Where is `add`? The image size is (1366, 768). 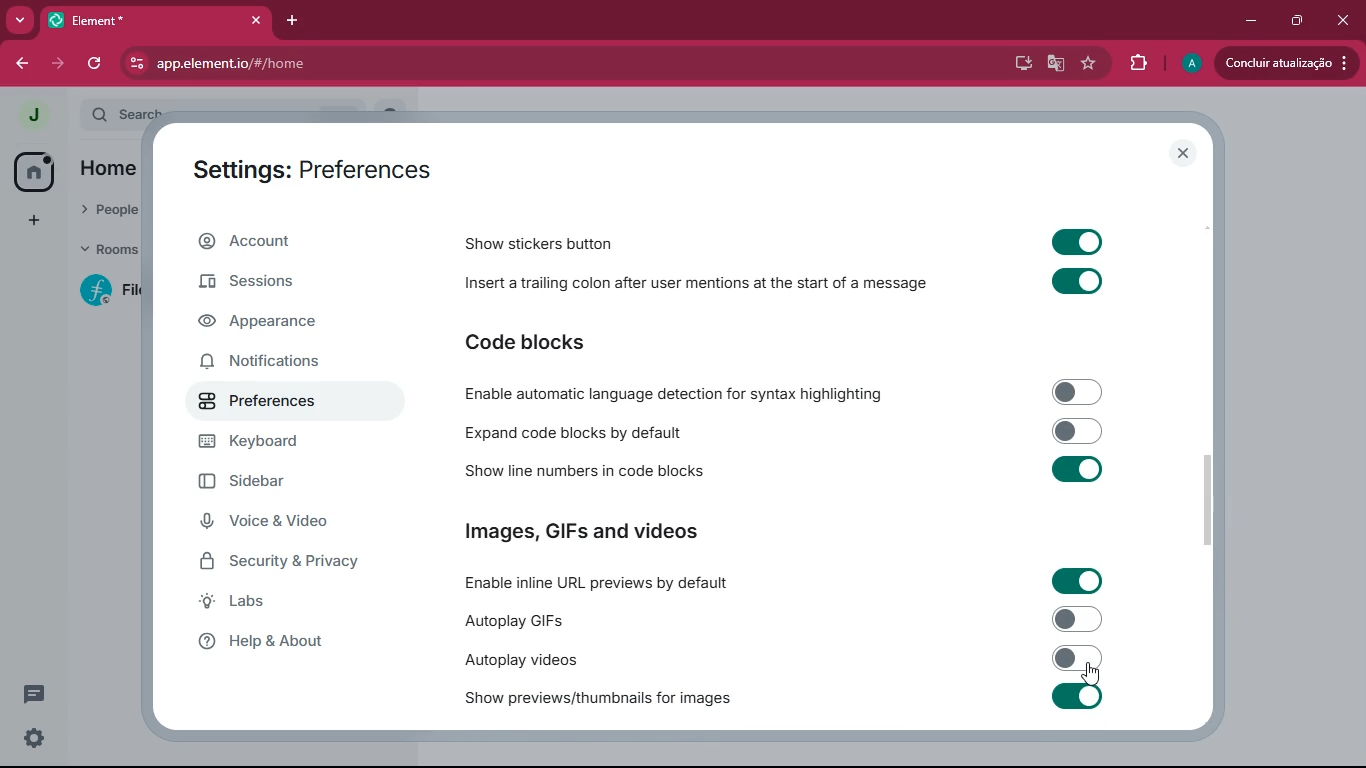 add is located at coordinates (30, 221).